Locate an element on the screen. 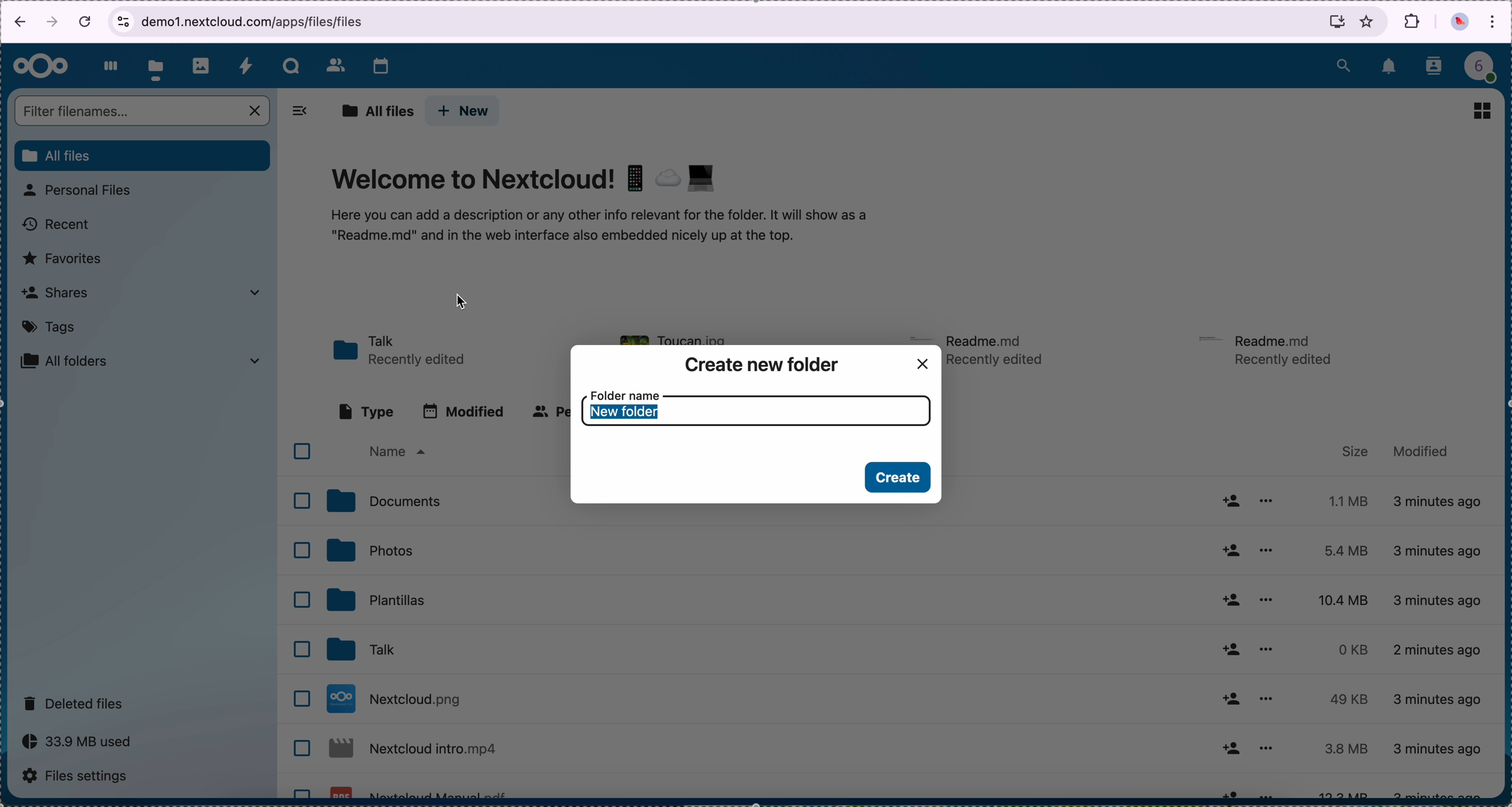 This screenshot has width=1512, height=807. all files is located at coordinates (377, 112).